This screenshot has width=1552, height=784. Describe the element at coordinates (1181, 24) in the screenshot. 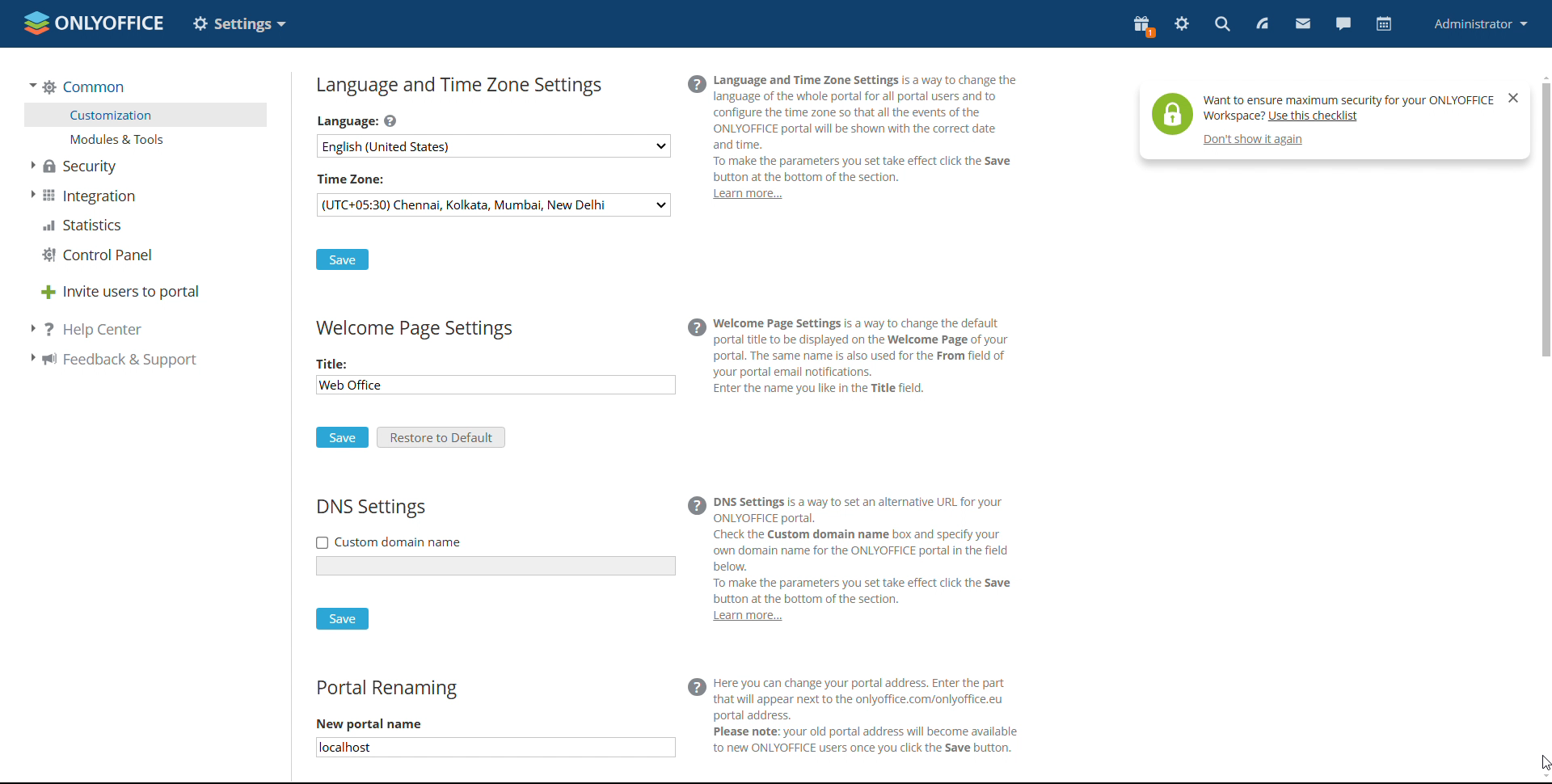

I see `settings` at that location.